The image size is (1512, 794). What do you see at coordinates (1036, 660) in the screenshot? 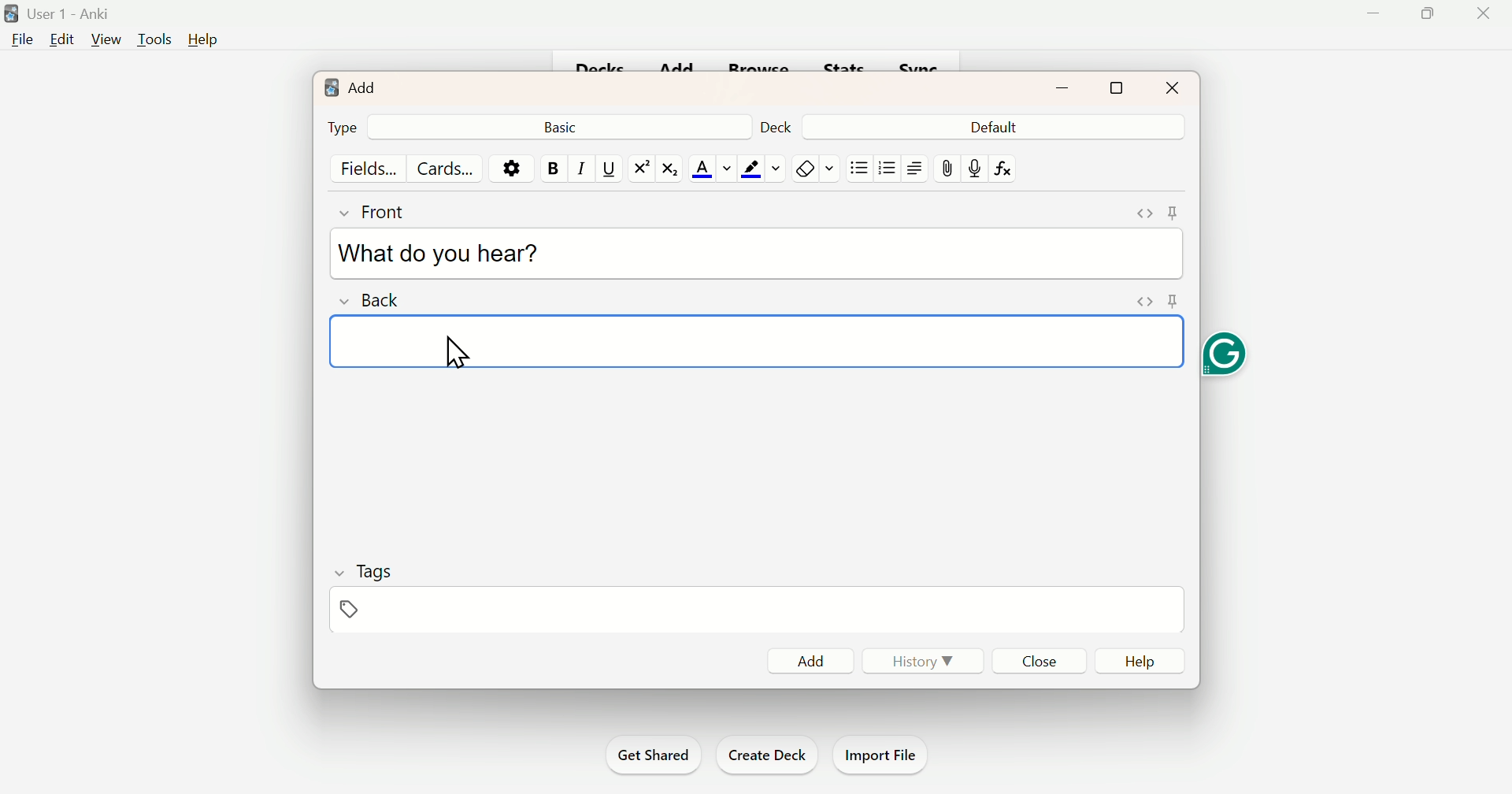
I see `Close` at bounding box center [1036, 660].